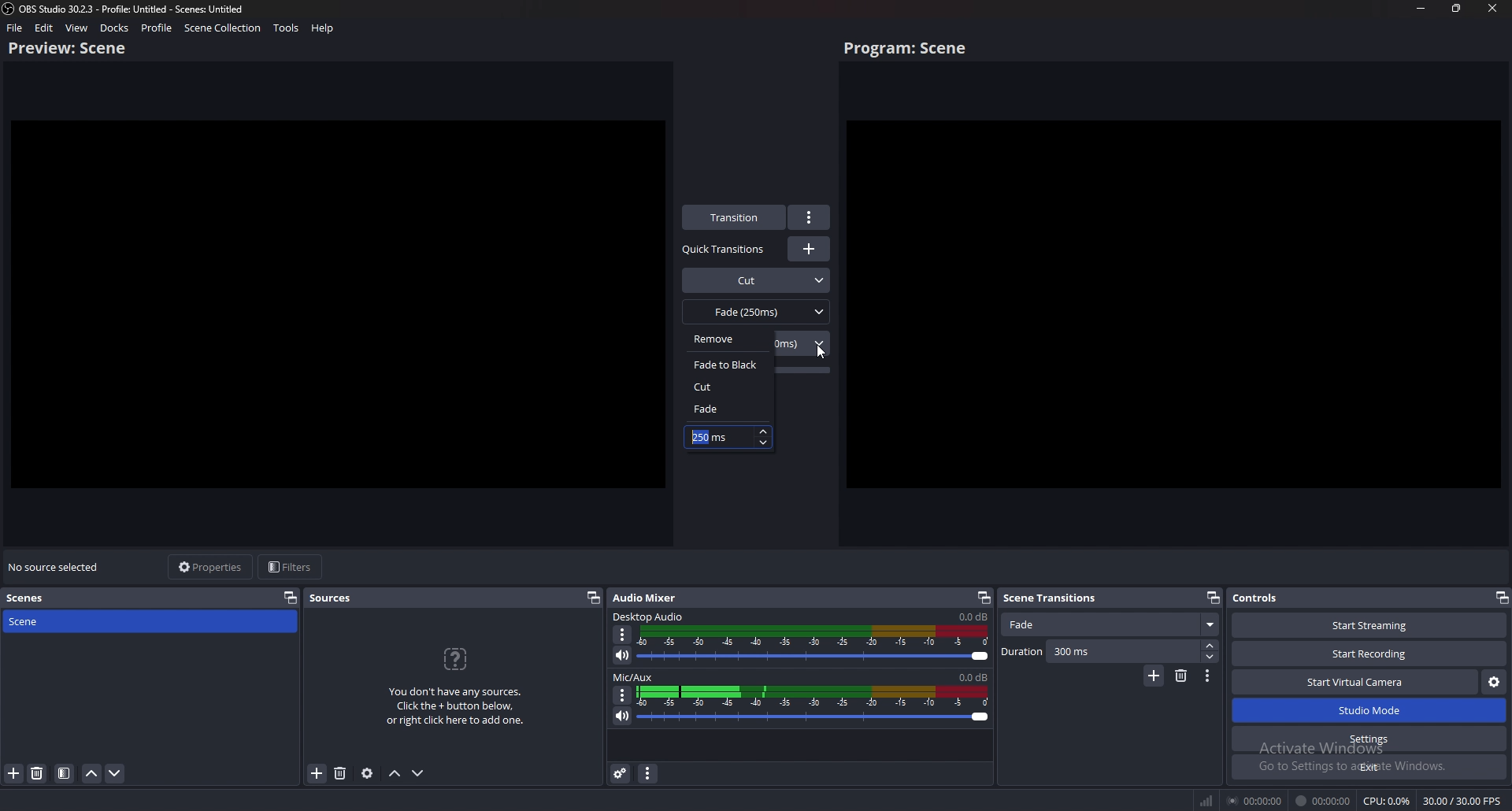  I want to click on Start streaming, so click(1366, 624).